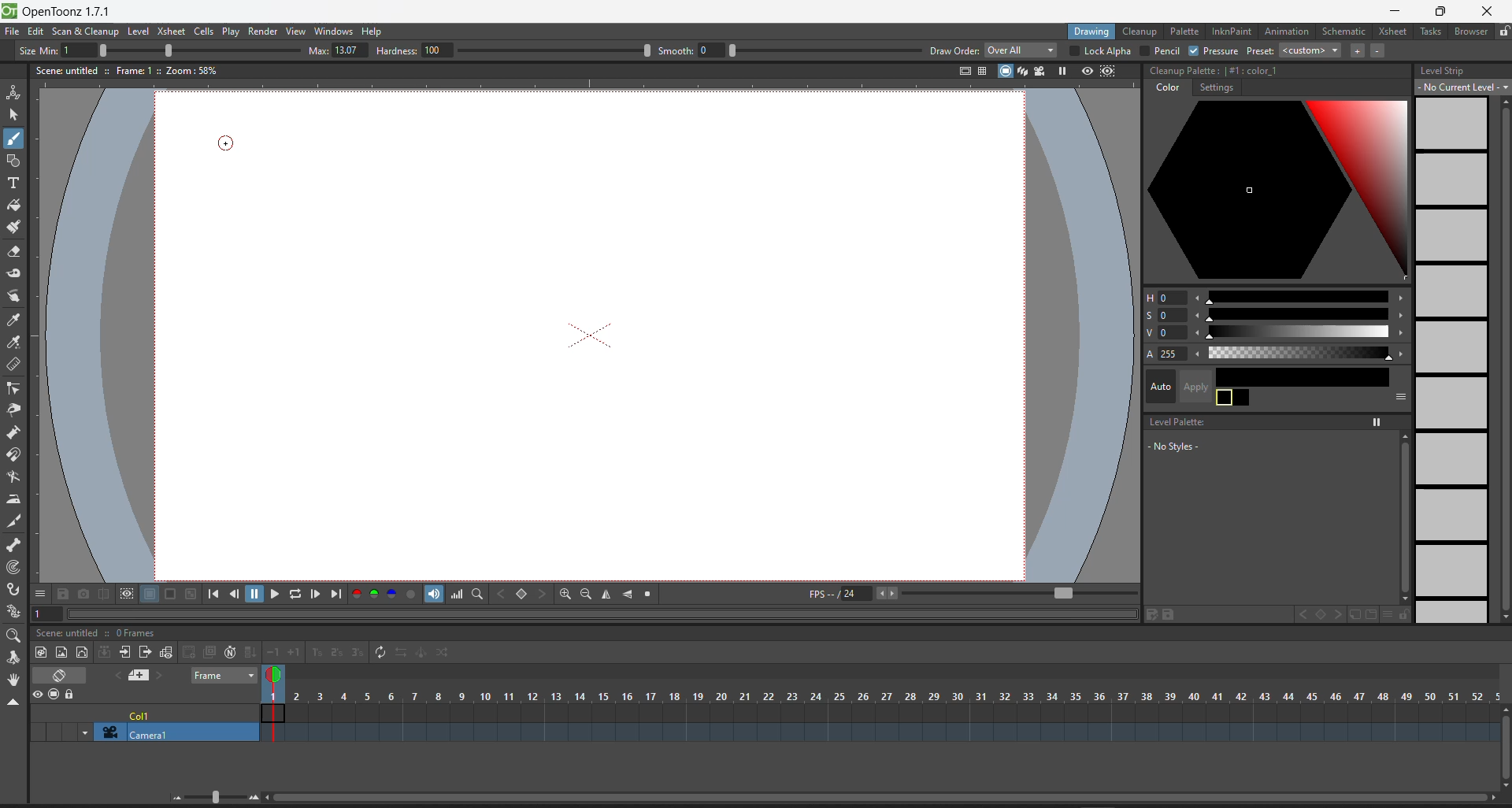 The width and height of the screenshot is (1512, 808). Describe the element at coordinates (207, 650) in the screenshot. I see `duplicate drawing` at that location.